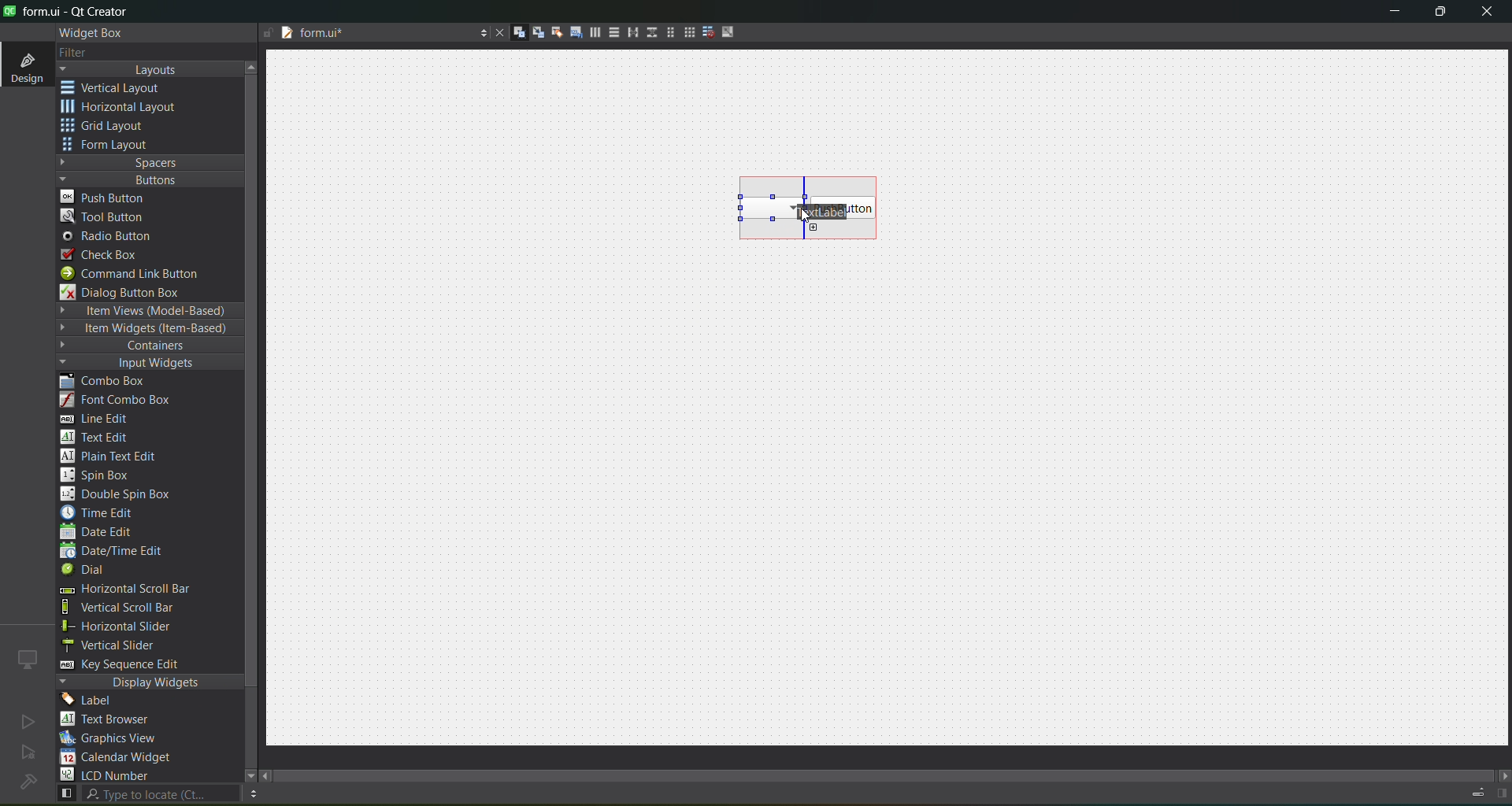  What do you see at coordinates (107, 255) in the screenshot?
I see `check box` at bounding box center [107, 255].